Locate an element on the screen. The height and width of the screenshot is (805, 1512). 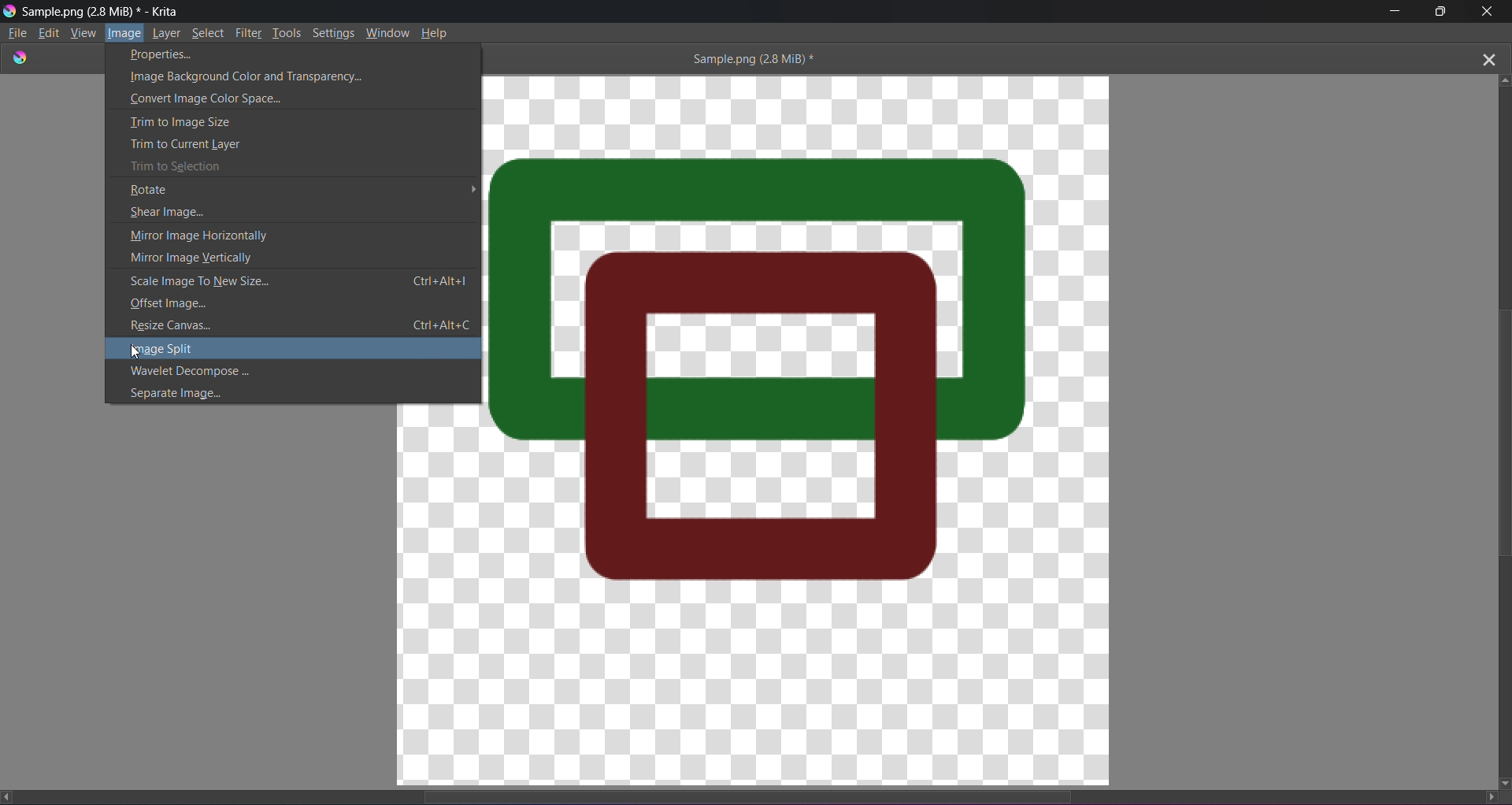
Window is located at coordinates (388, 31).